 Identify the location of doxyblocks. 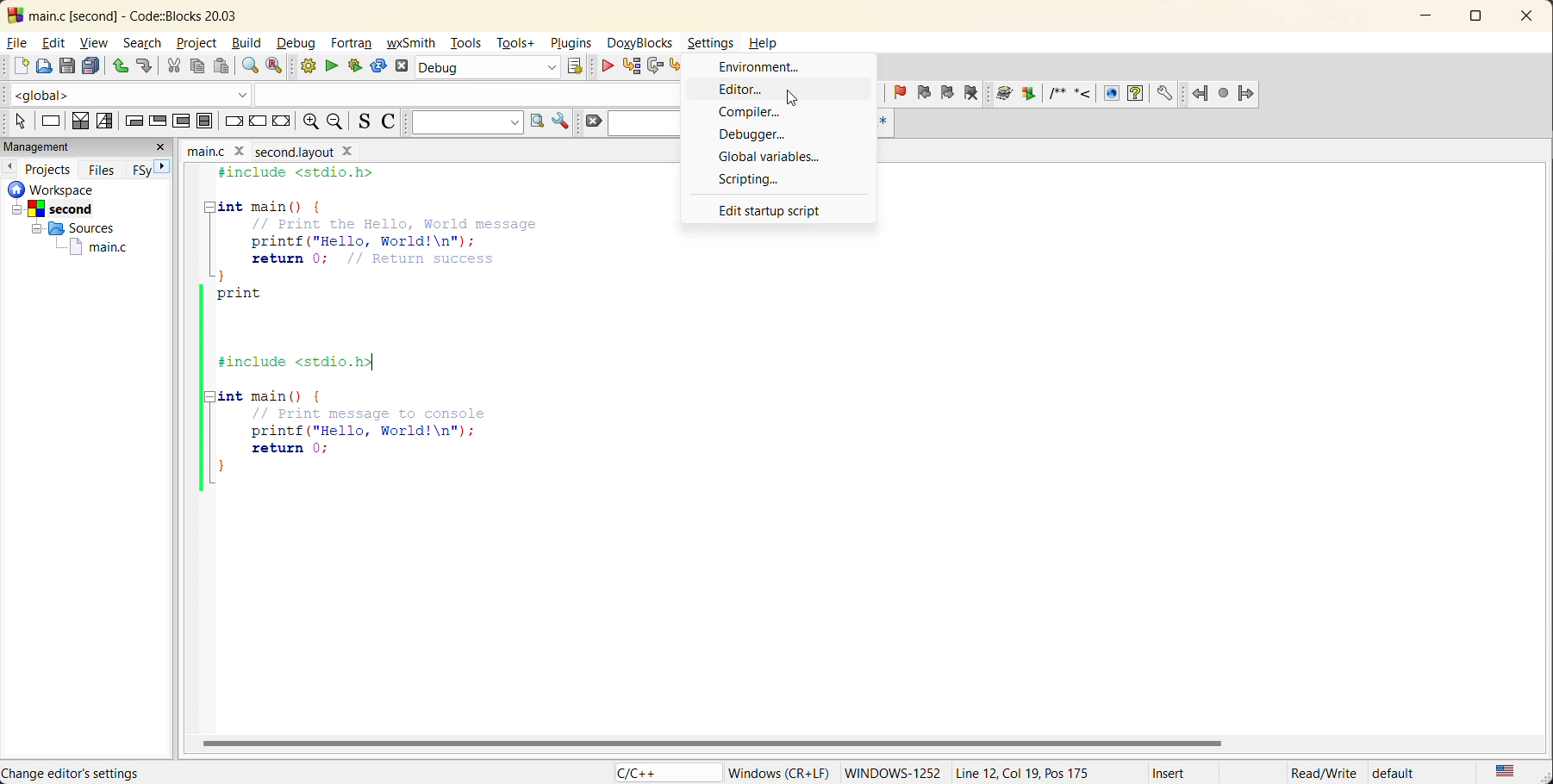
(637, 42).